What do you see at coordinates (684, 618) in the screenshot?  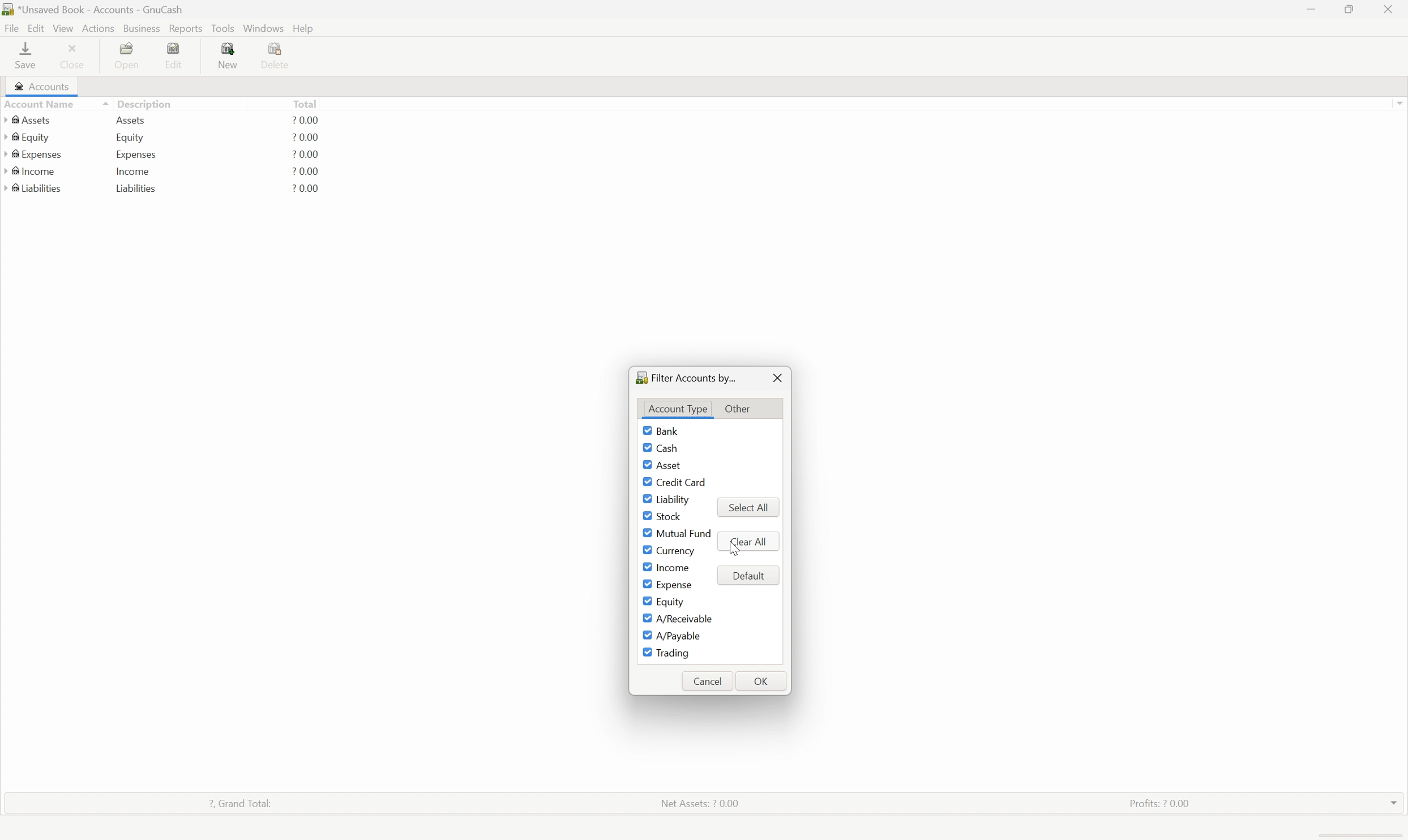 I see `A/Receivable` at bounding box center [684, 618].